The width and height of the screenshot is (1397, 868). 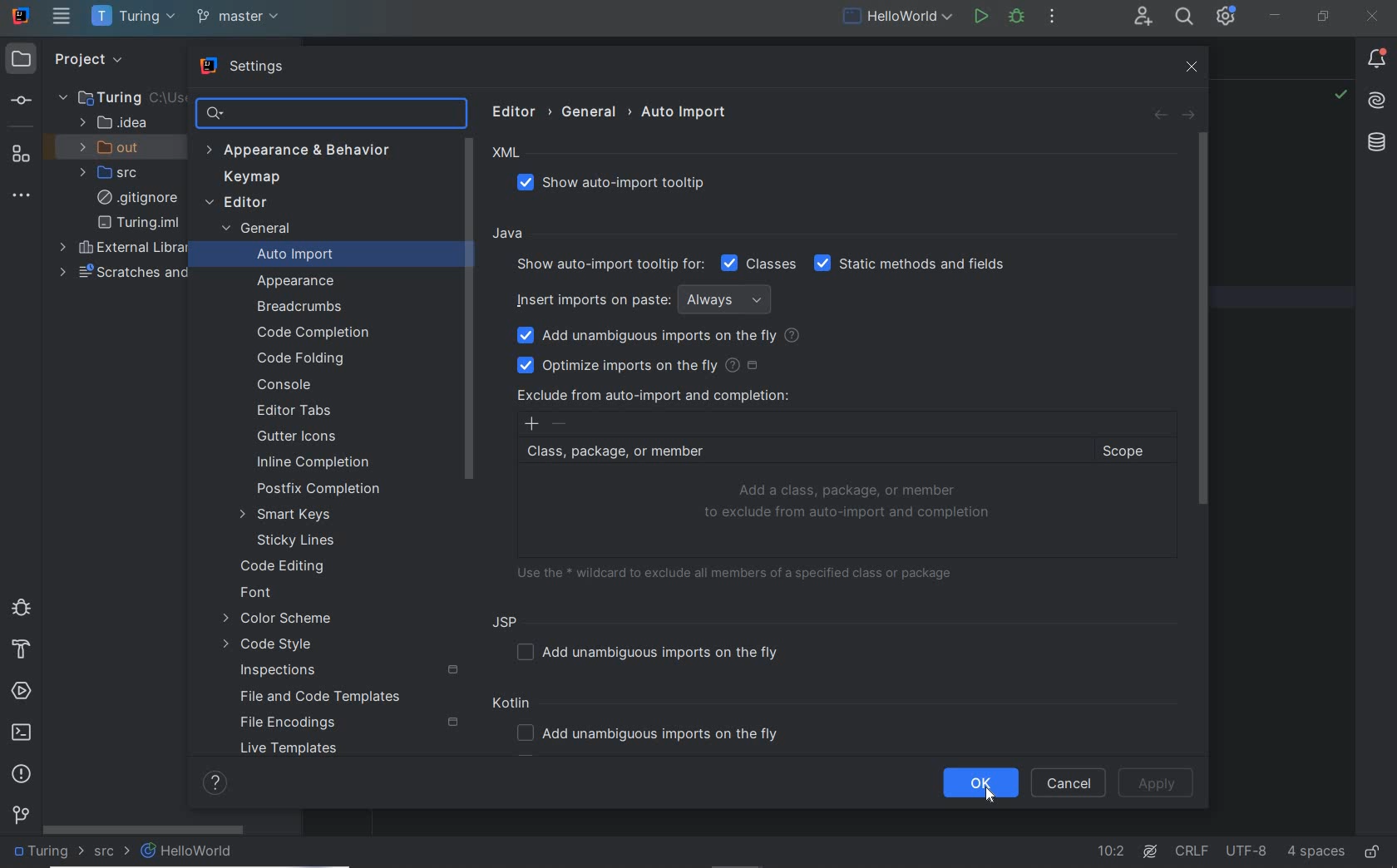 I want to click on EXCLUDE FROM AUTO-IMPORT AND COMPLETION, so click(x=653, y=395).